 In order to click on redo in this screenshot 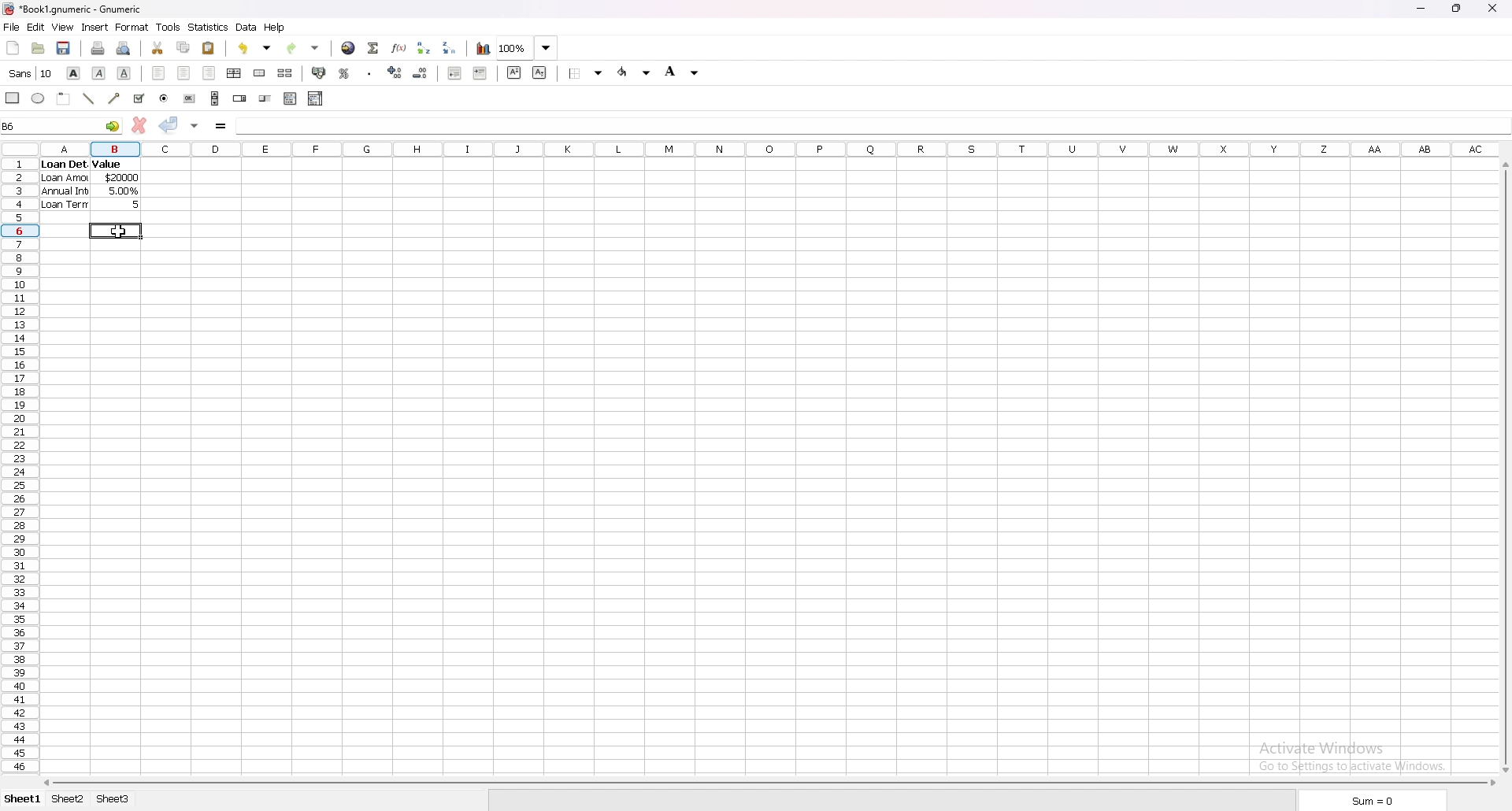, I will do `click(304, 48)`.